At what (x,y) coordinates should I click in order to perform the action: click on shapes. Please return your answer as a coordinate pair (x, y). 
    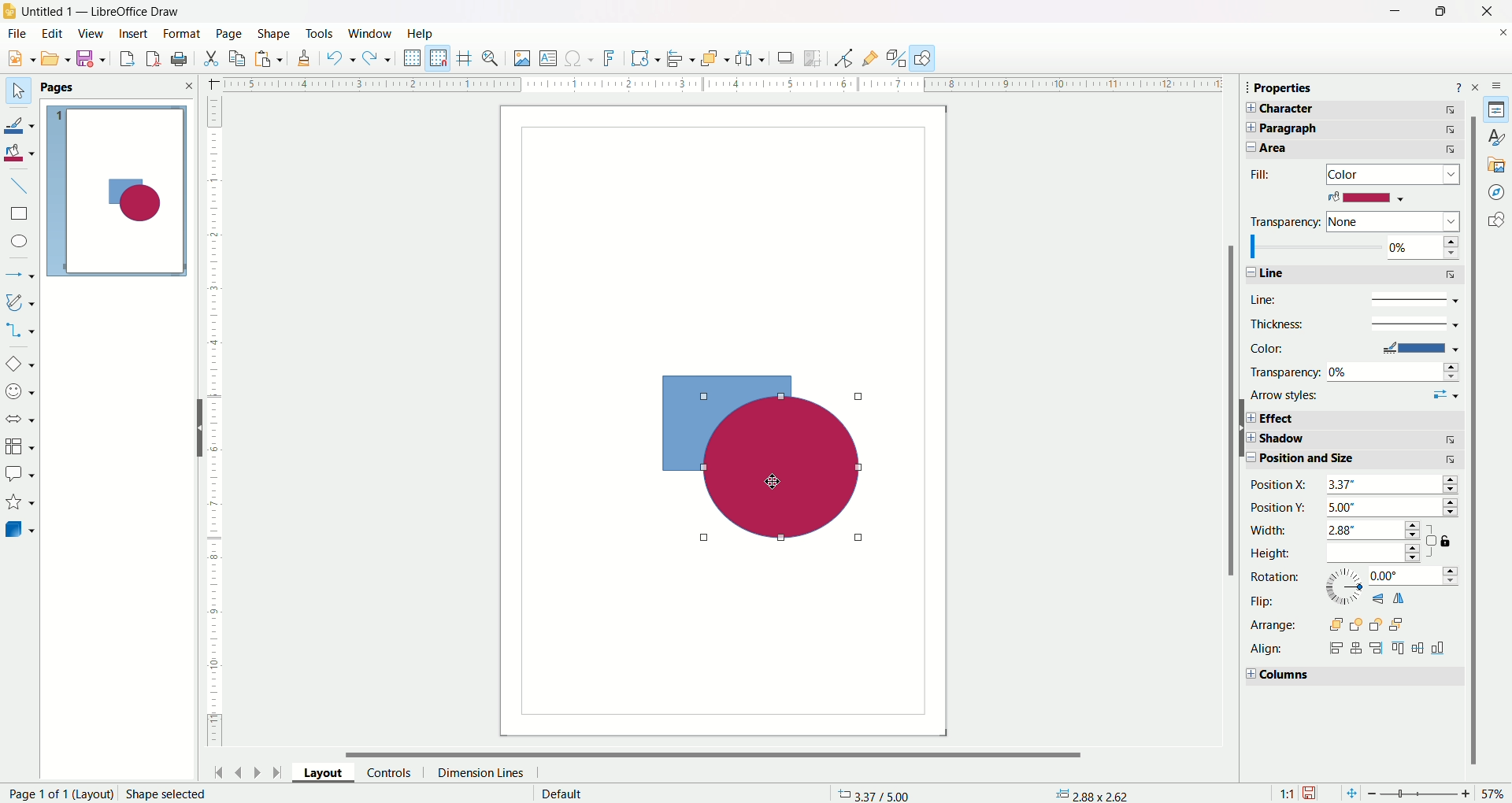
    Looking at the image, I should click on (763, 459).